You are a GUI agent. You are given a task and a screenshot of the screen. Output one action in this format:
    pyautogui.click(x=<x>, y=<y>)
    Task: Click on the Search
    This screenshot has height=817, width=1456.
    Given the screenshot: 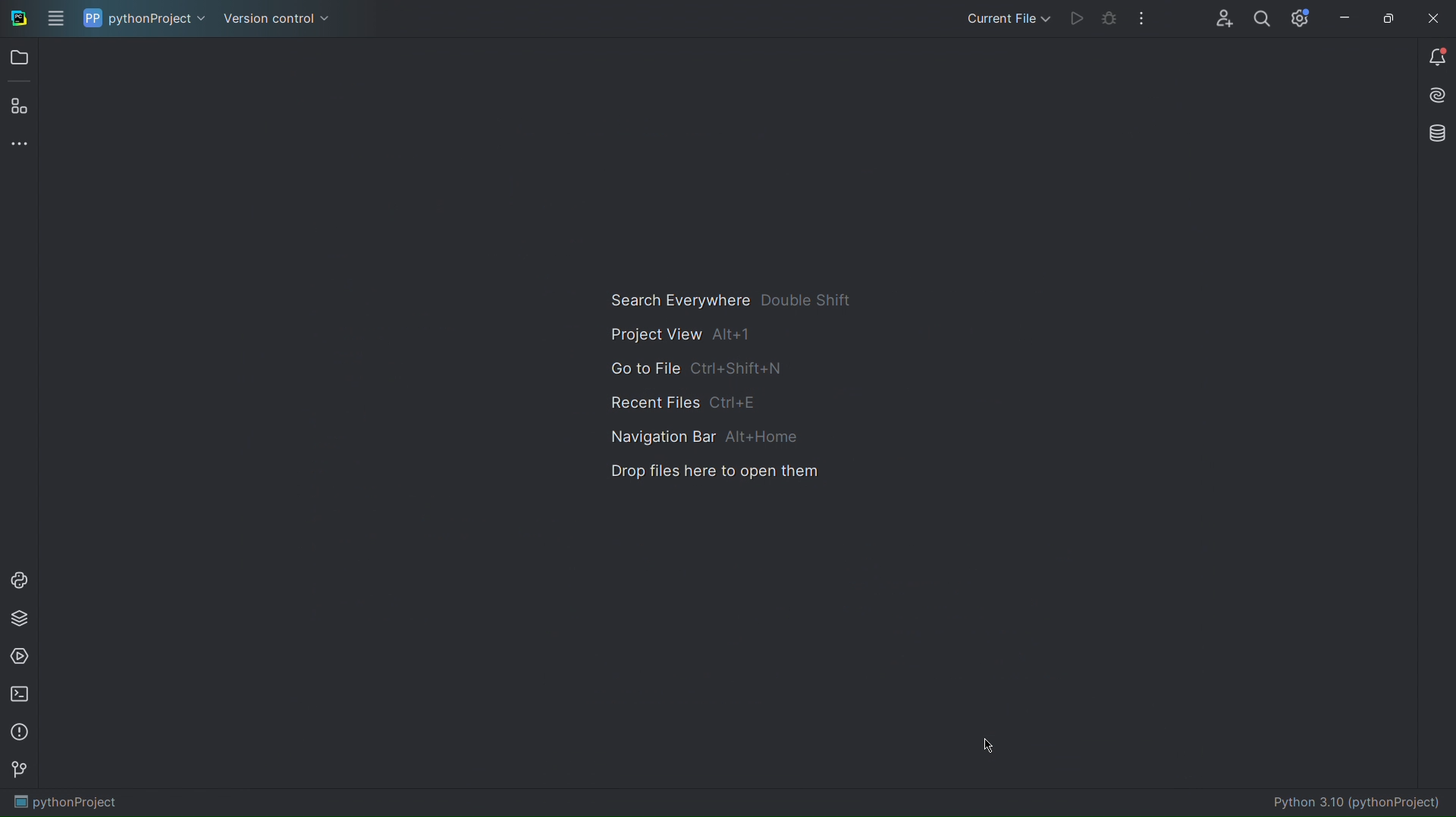 What is the action you would take?
    pyautogui.click(x=1263, y=17)
    